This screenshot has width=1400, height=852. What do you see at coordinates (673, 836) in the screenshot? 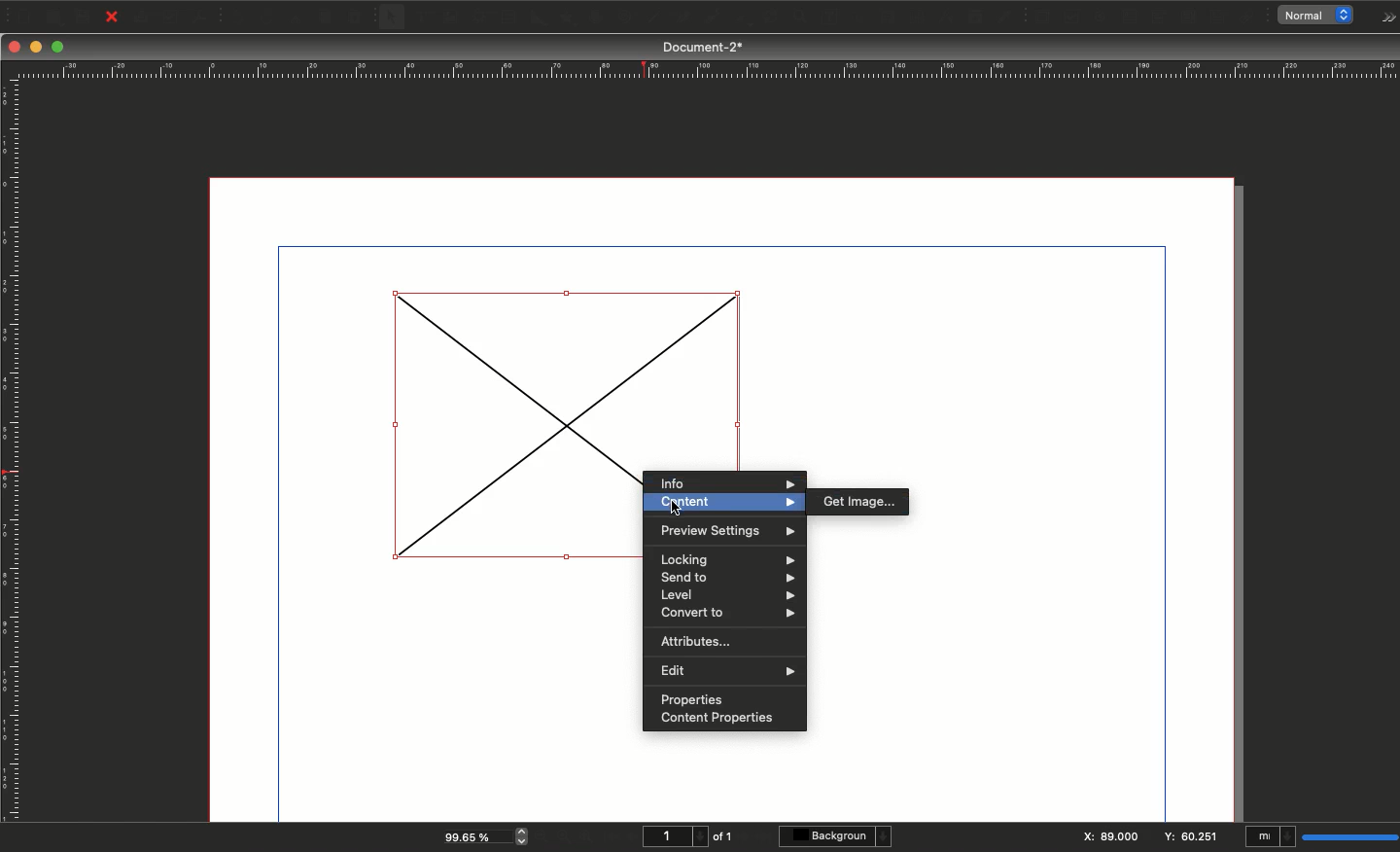
I see `1` at bounding box center [673, 836].